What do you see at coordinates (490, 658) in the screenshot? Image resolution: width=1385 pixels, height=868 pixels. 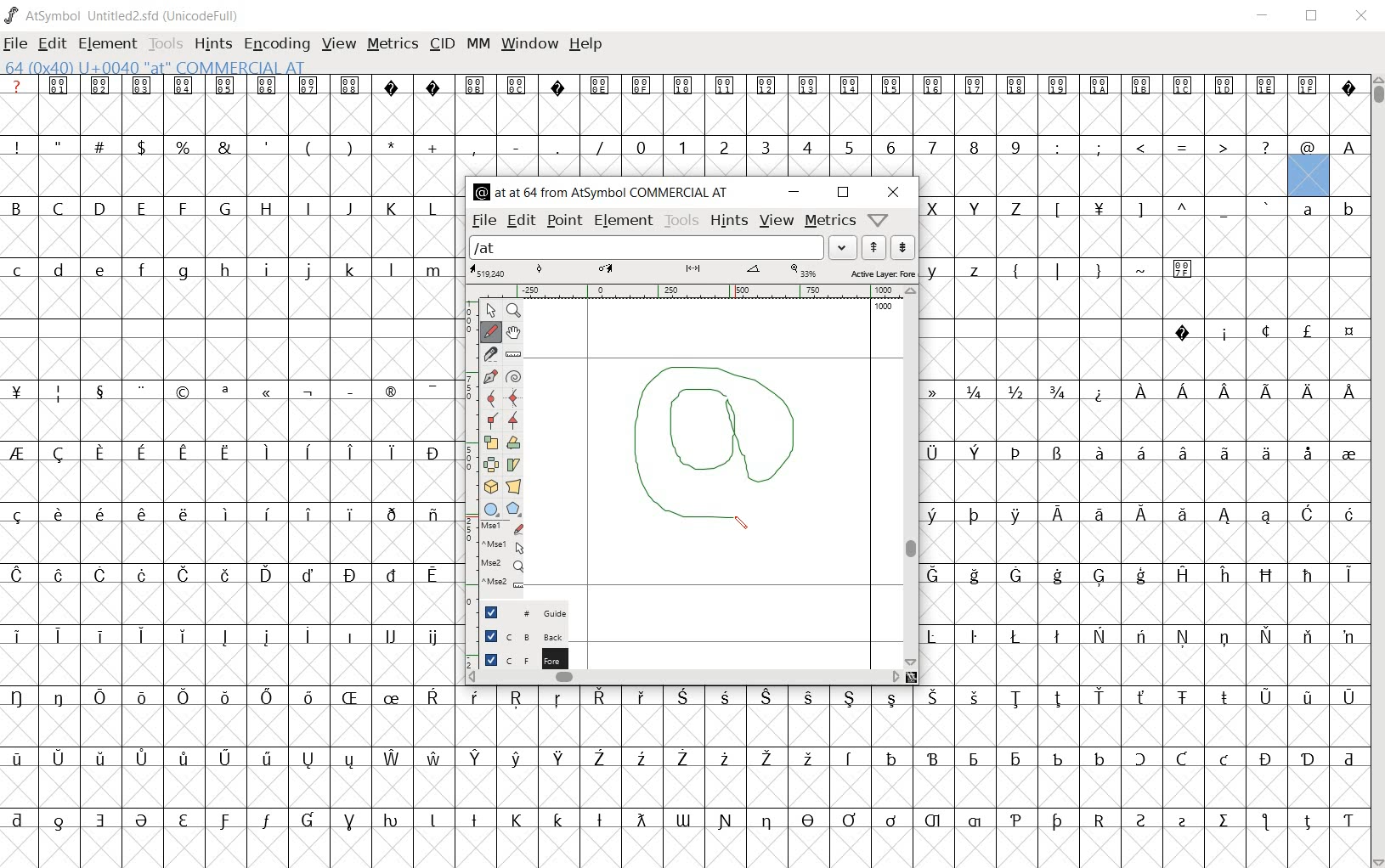 I see `checkbox` at bounding box center [490, 658].